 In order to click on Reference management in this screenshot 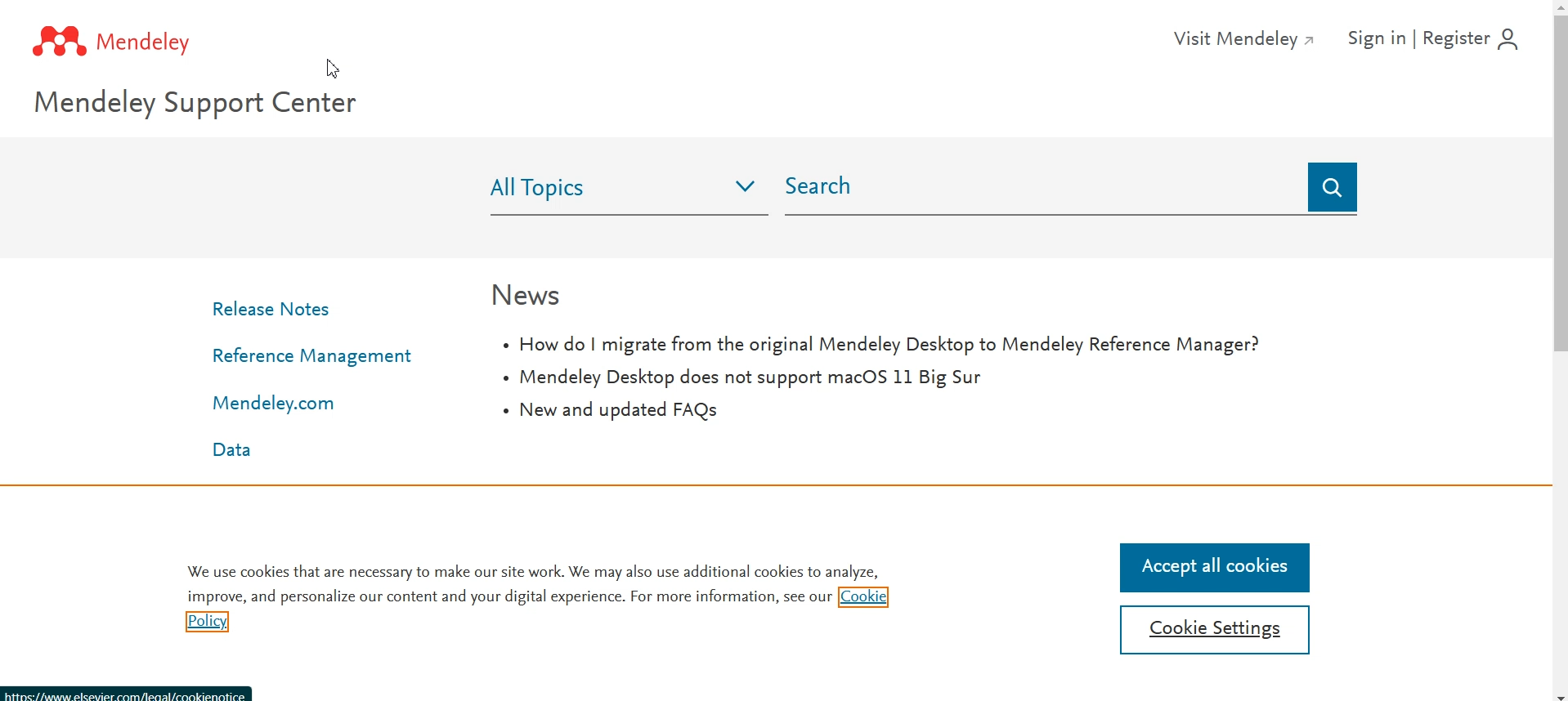, I will do `click(311, 355)`.